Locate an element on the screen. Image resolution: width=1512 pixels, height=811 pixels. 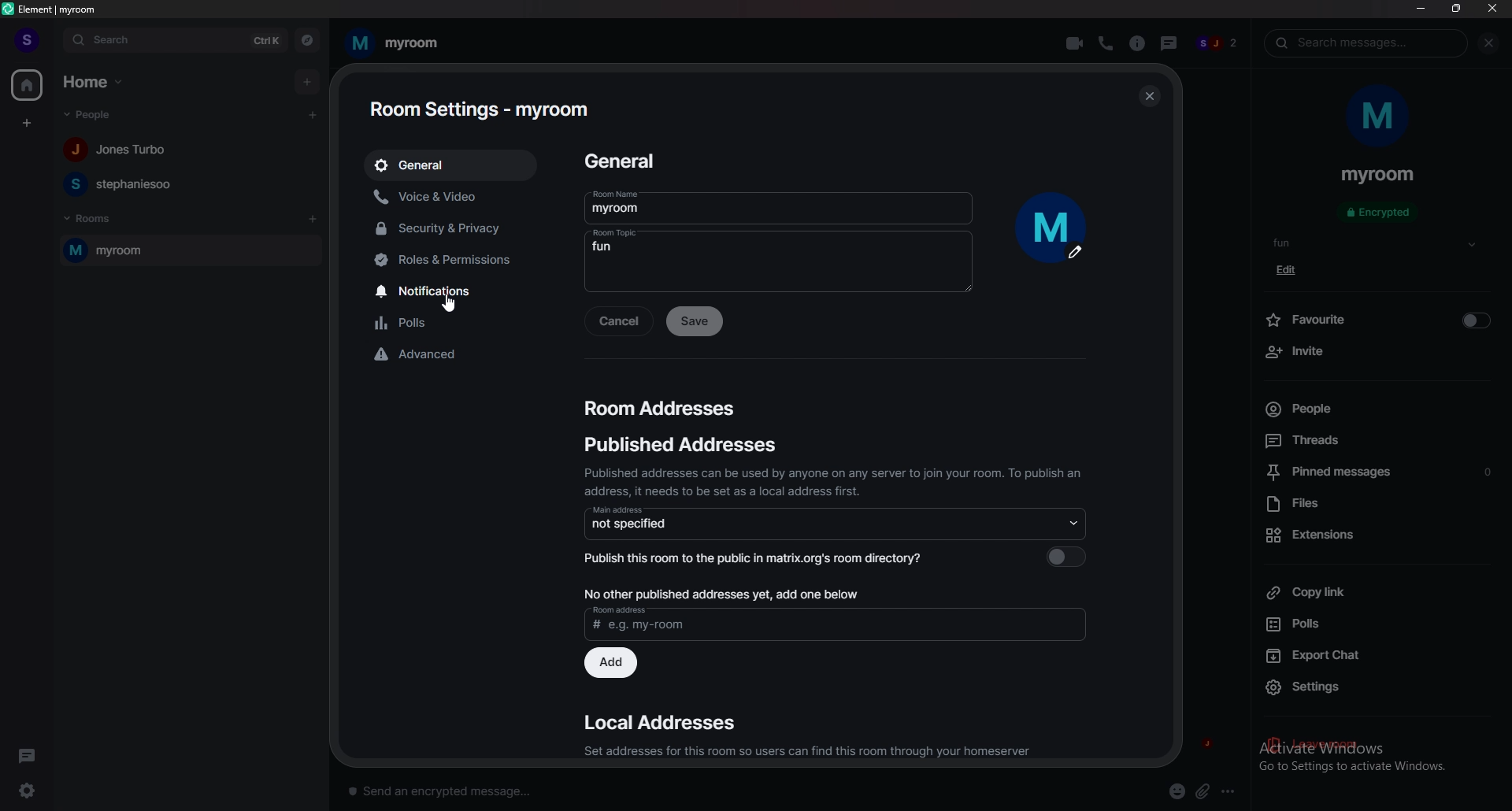
people is located at coordinates (95, 115).